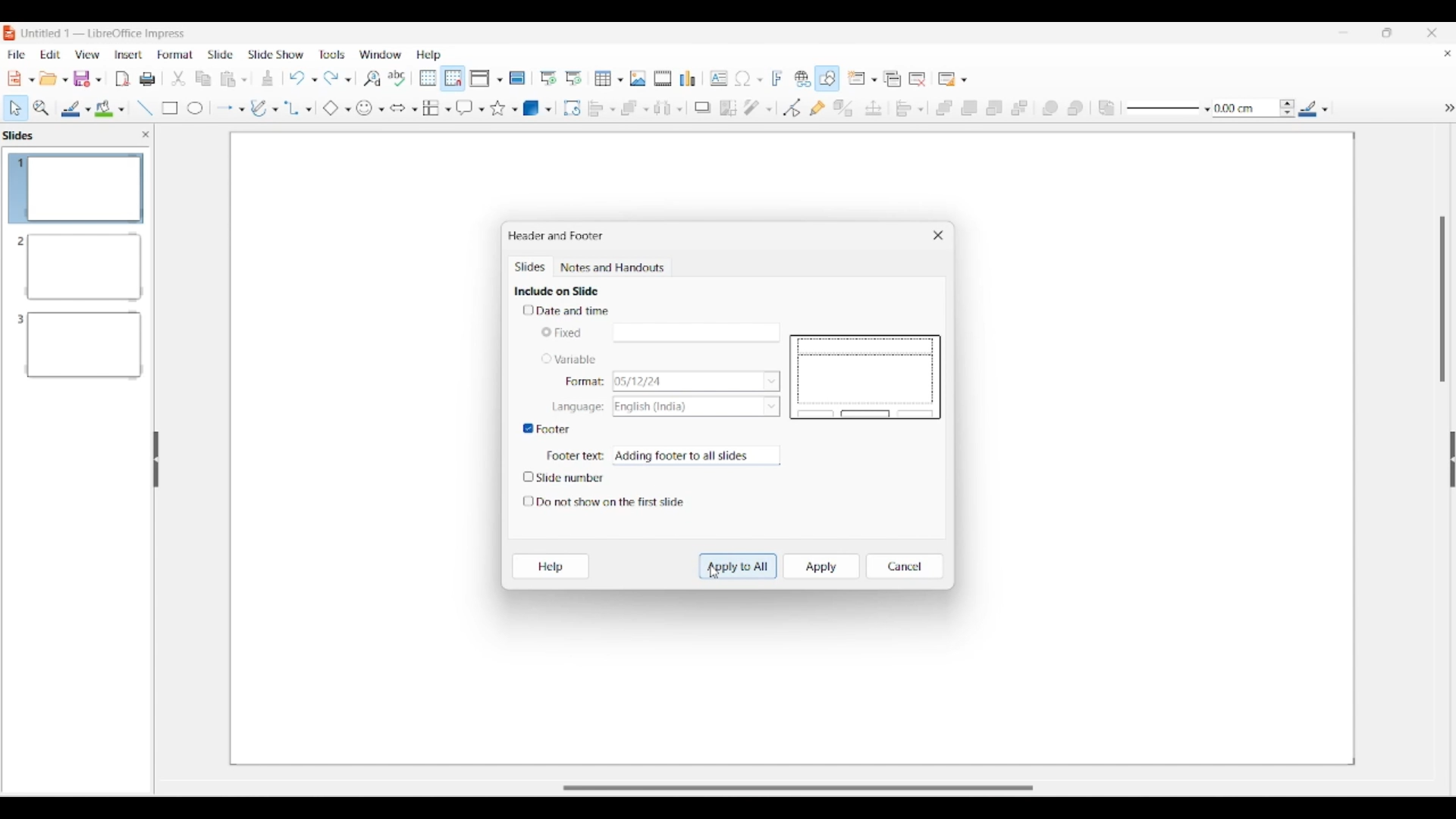  Describe the element at coordinates (826, 78) in the screenshot. I see `Show draw functions, highlighted` at that location.